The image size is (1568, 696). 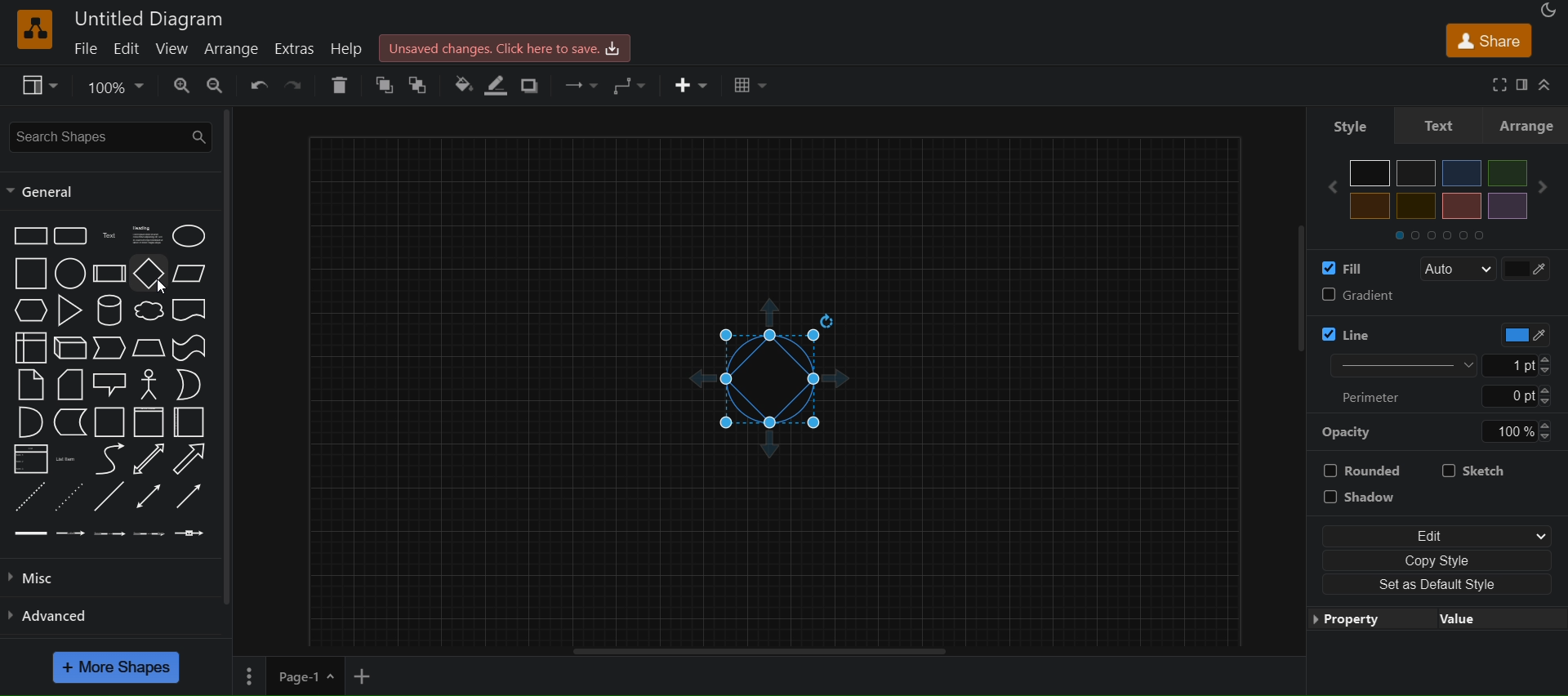 I want to click on logo, so click(x=33, y=29).